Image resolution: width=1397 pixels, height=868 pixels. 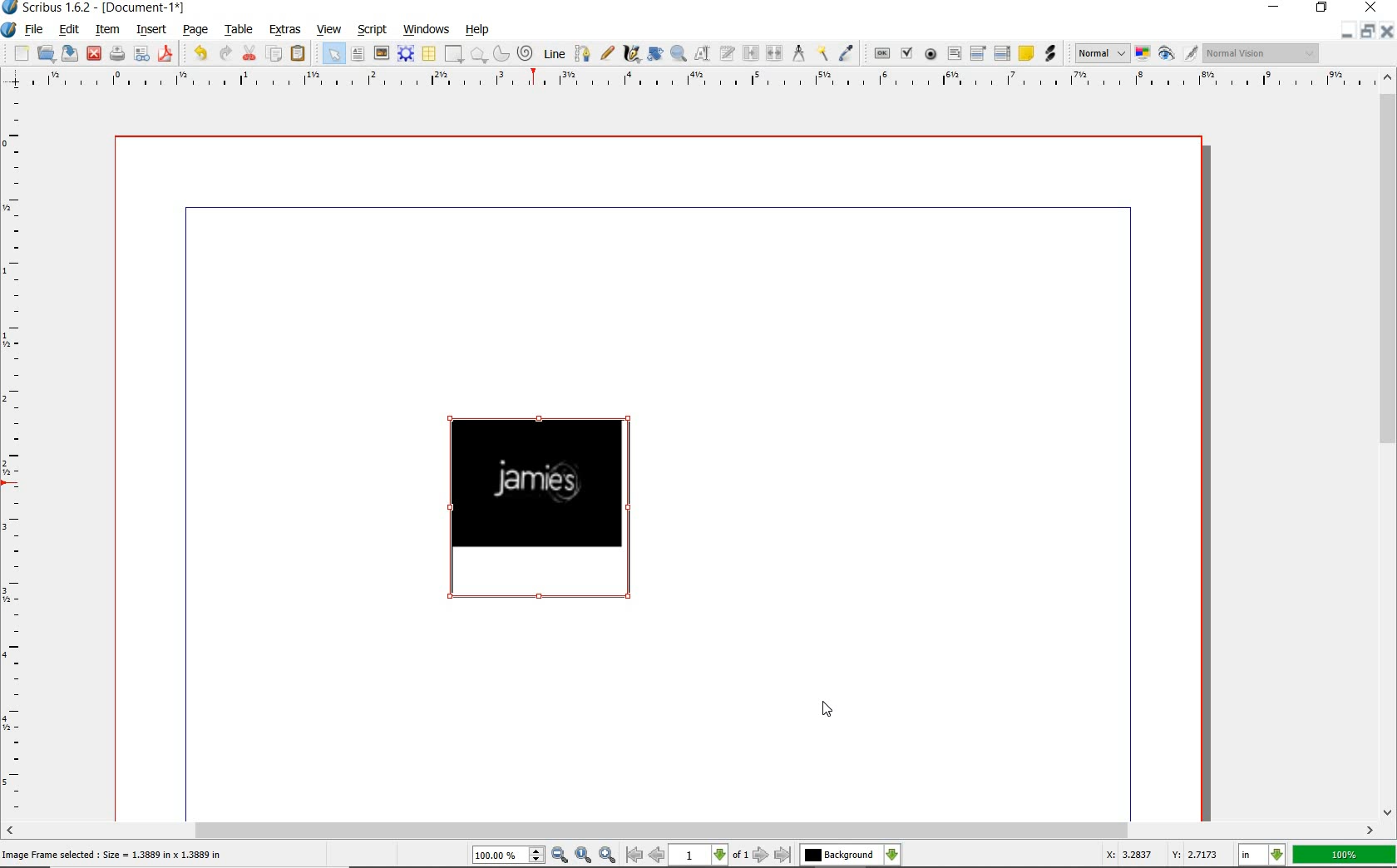 I want to click on zoom in/zoom to/zoom out, so click(x=544, y=855).